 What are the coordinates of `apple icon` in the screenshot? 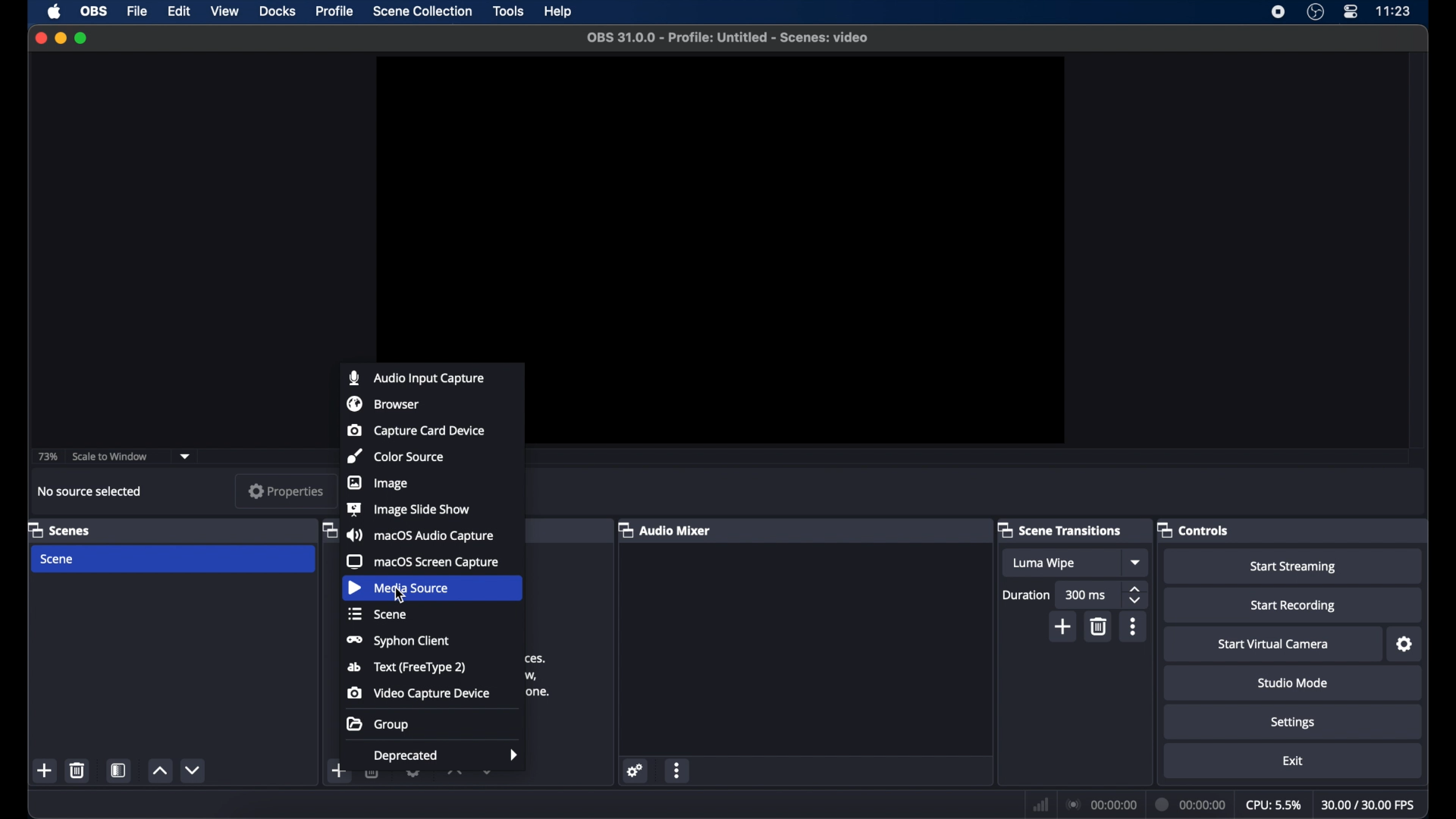 It's located at (55, 12).